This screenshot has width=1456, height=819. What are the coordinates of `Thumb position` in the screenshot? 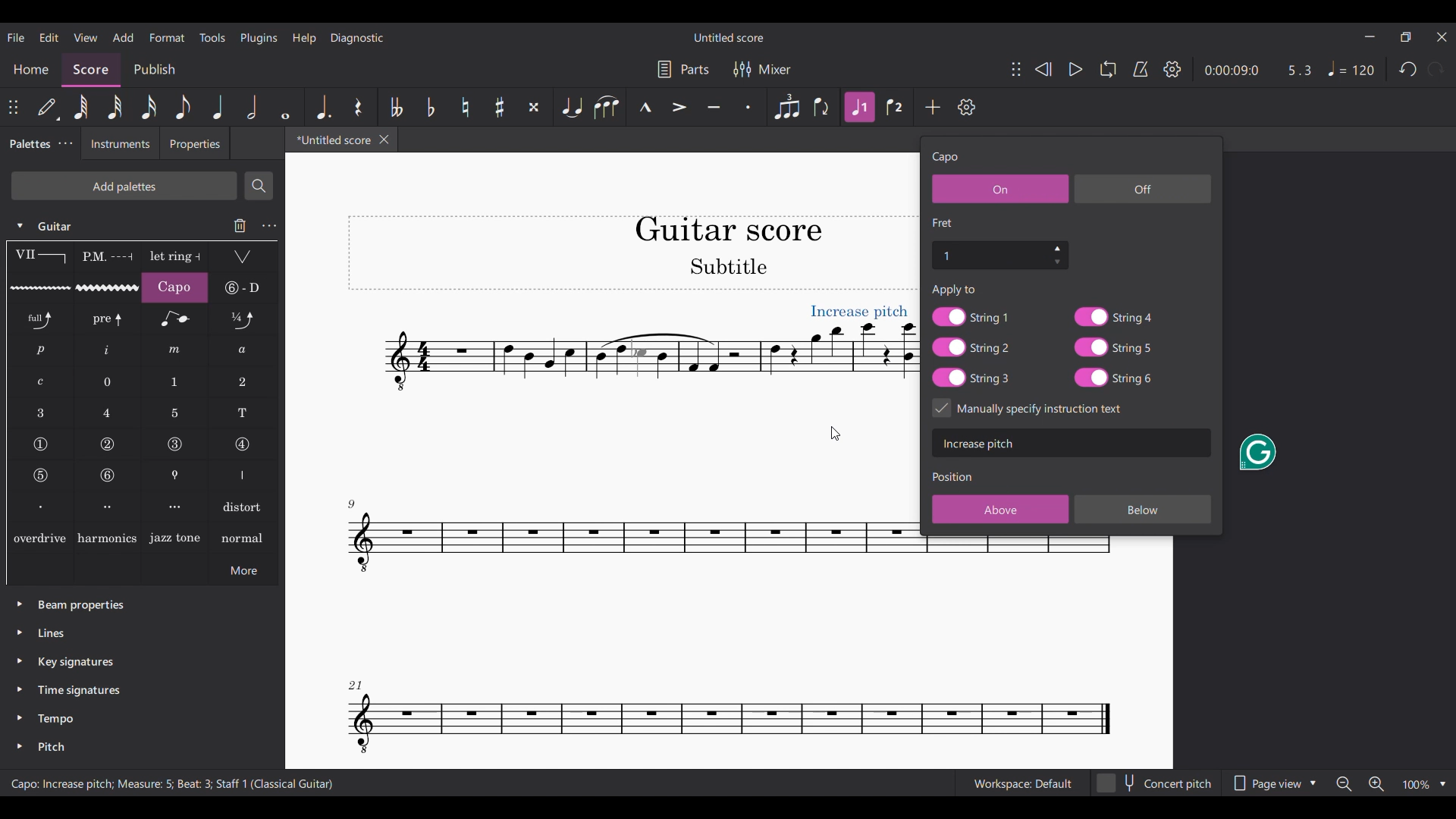 It's located at (176, 475).